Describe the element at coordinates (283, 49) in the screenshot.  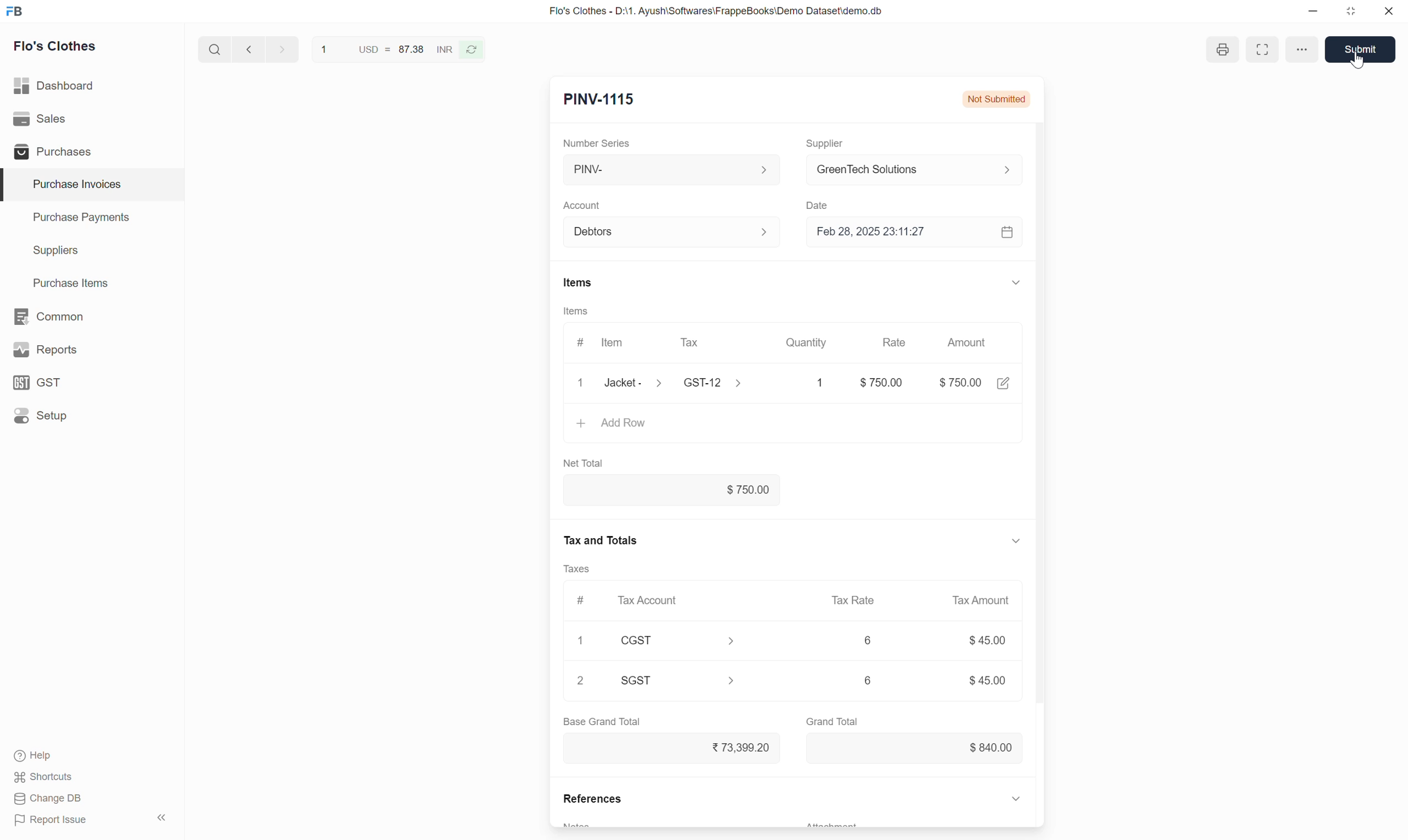
I see `Next` at that location.